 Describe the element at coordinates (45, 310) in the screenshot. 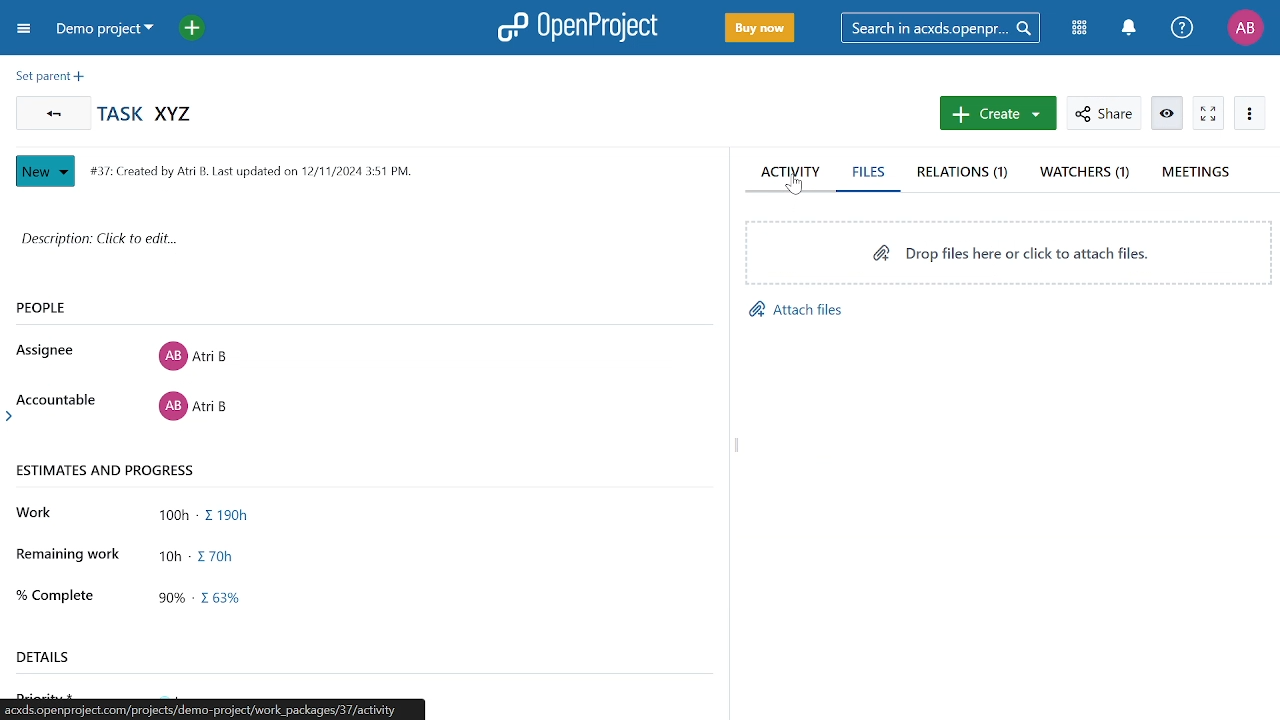

I see `PEOPLE` at that location.